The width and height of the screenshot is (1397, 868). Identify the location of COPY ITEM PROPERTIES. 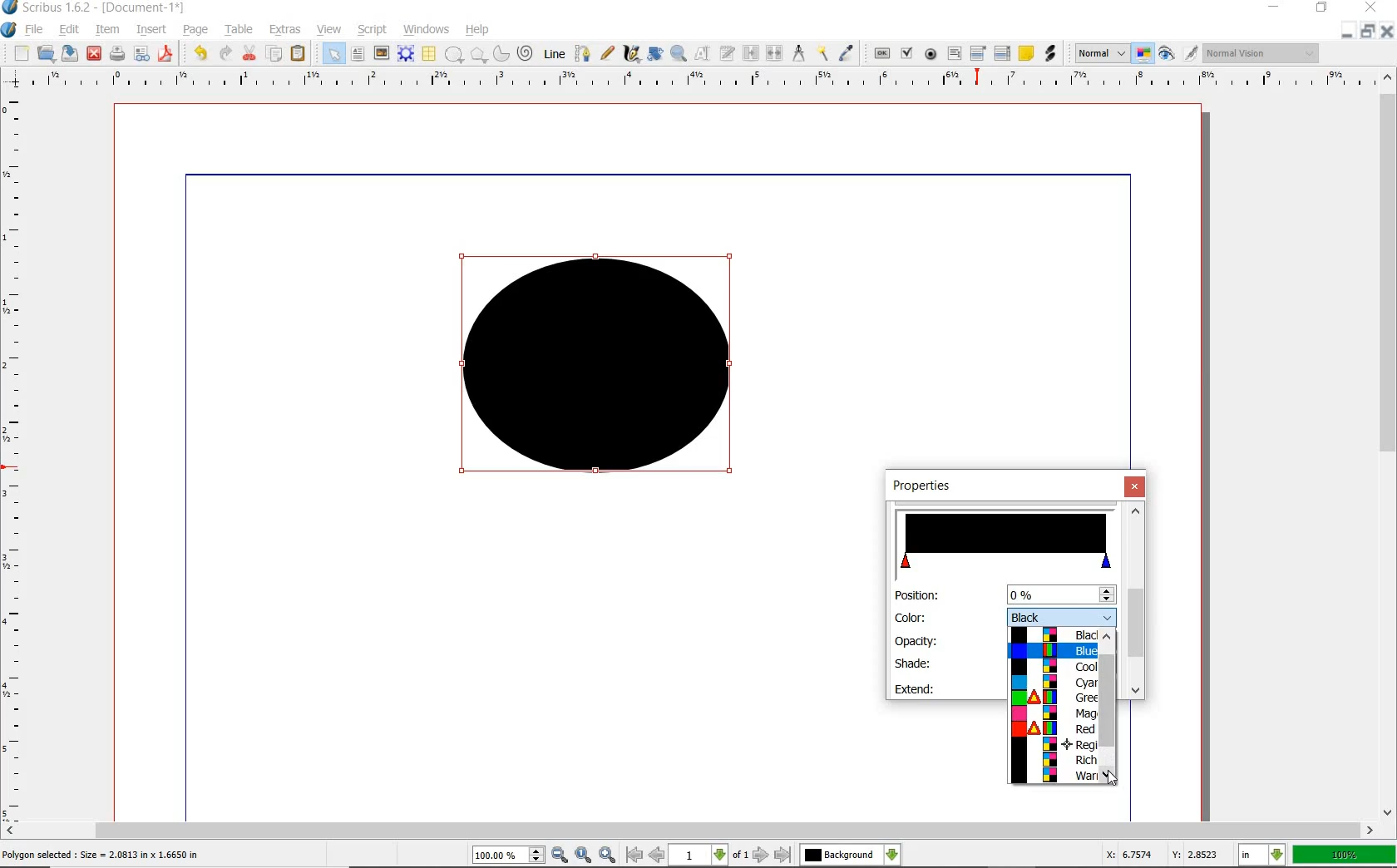
(822, 52).